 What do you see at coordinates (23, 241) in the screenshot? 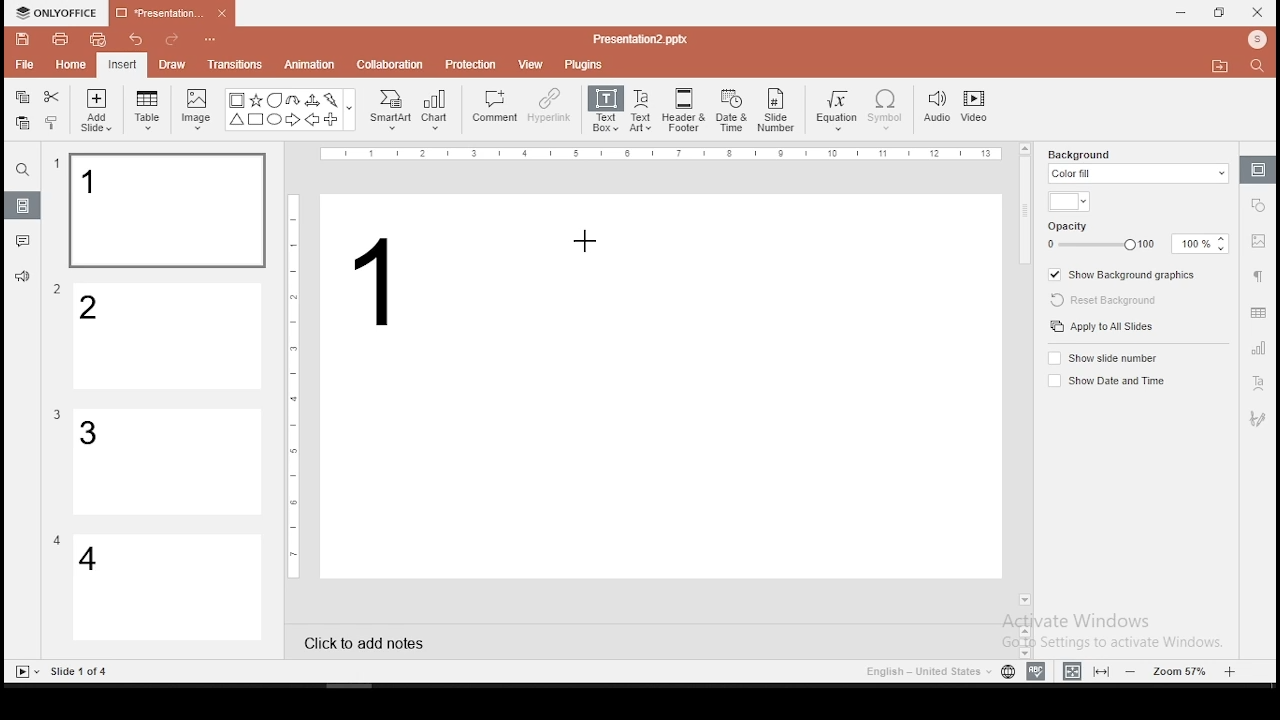
I see `comments` at bounding box center [23, 241].